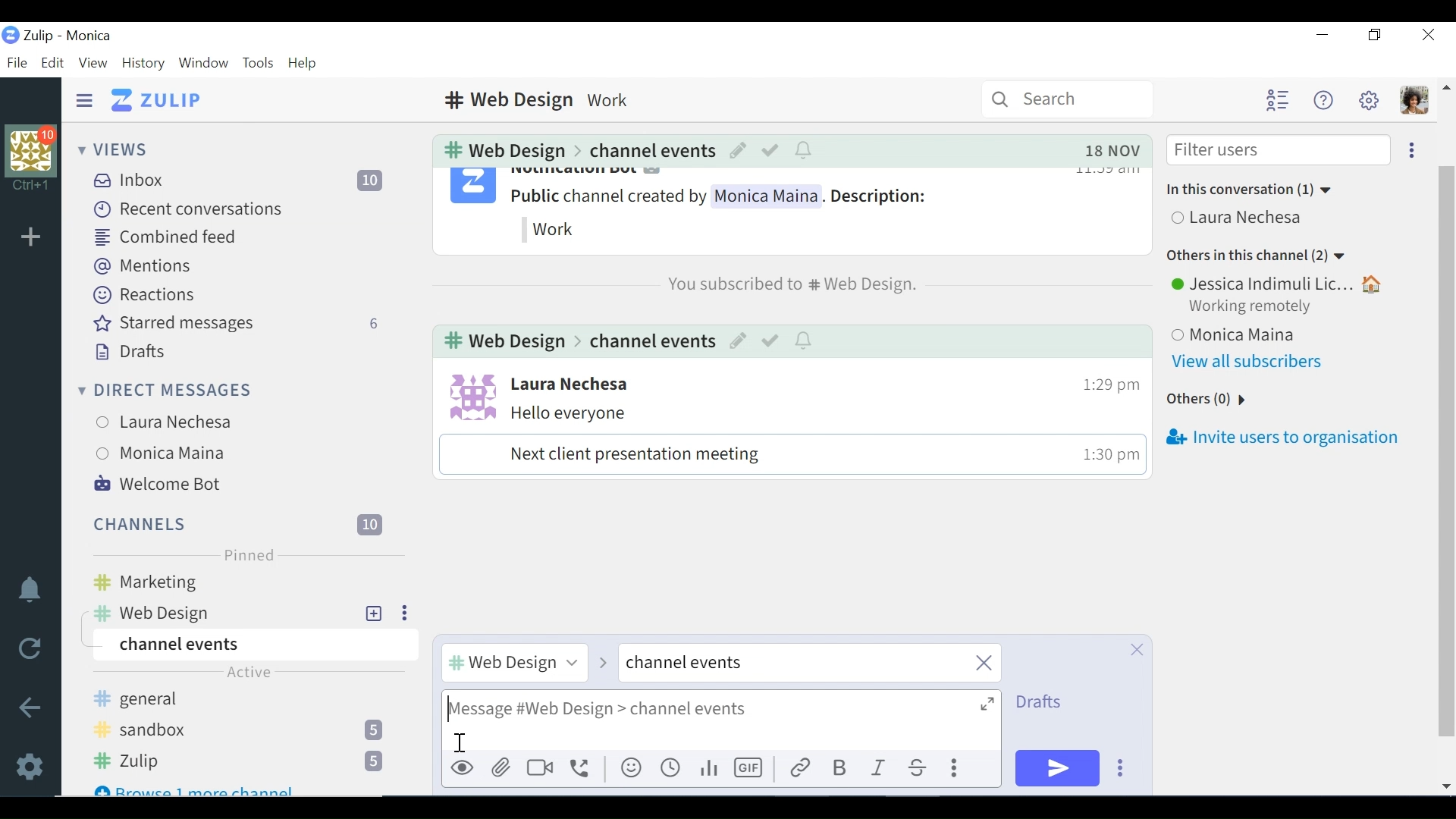 This screenshot has width=1456, height=819. Describe the element at coordinates (918, 769) in the screenshot. I see `Strikethrough` at that location.